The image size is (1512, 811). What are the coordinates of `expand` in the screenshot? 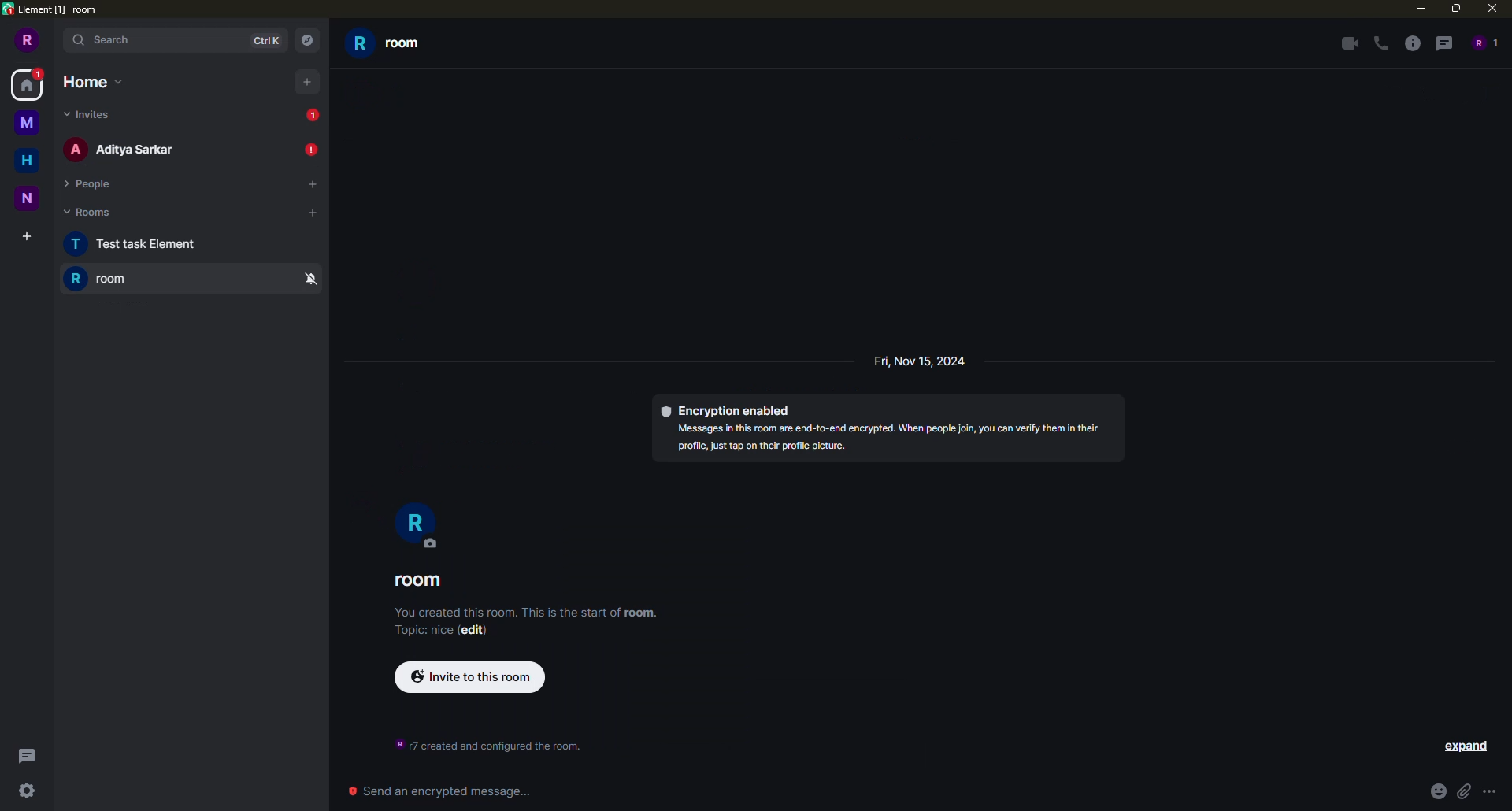 It's located at (1468, 748).